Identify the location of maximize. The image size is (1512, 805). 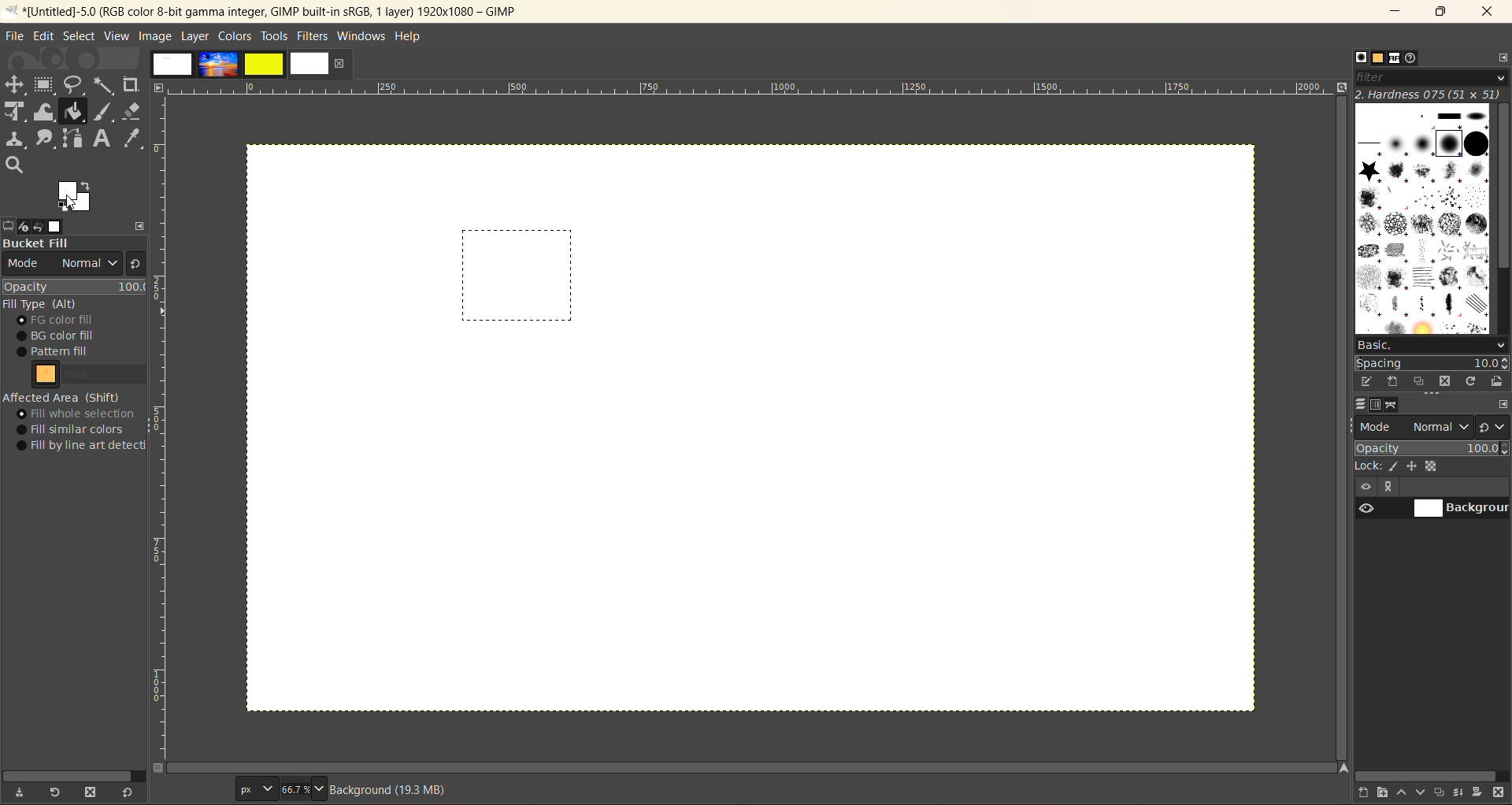
(1441, 14).